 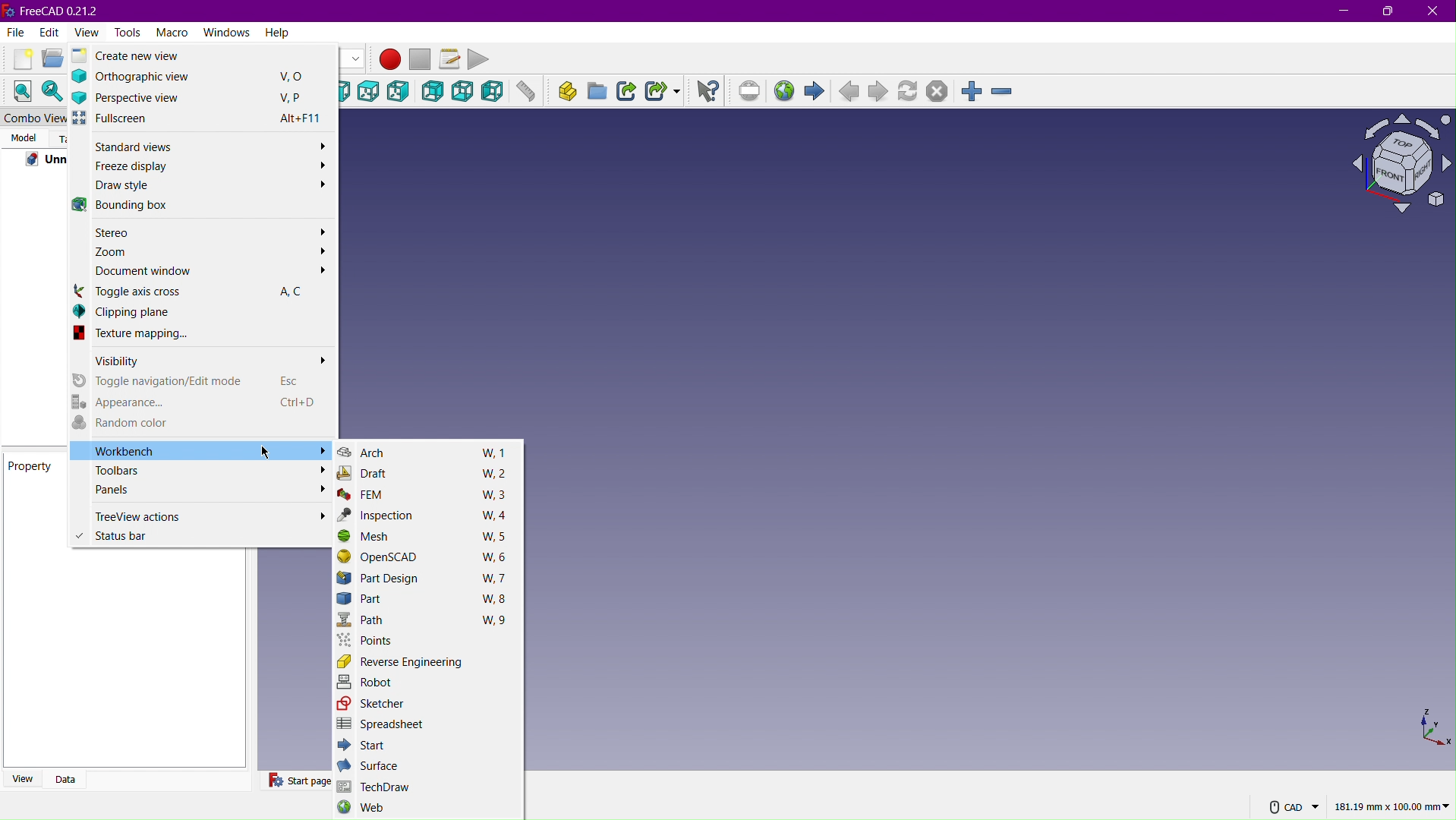 I want to click on Appearance, so click(x=203, y=402).